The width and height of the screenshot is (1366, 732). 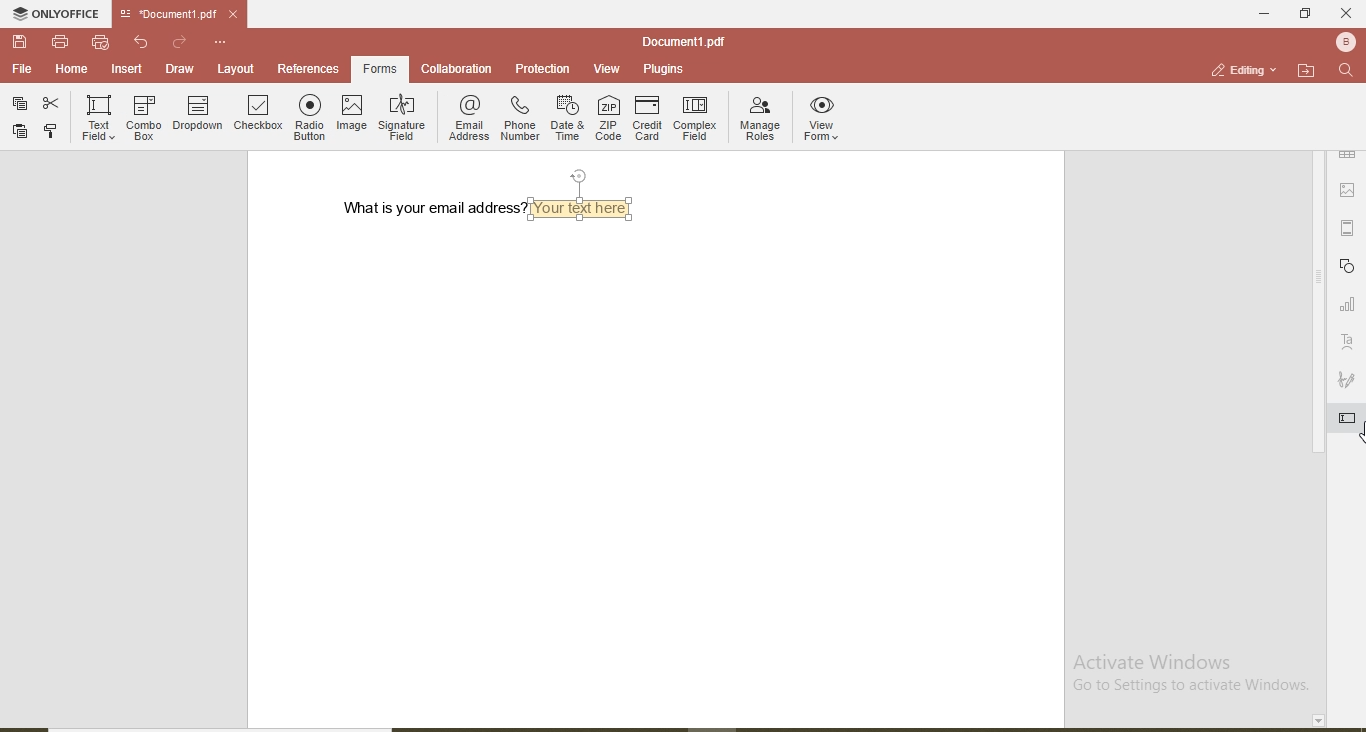 What do you see at coordinates (101, 42) in the screenshot?
I see `quick print` at bounding box center [101, 42].